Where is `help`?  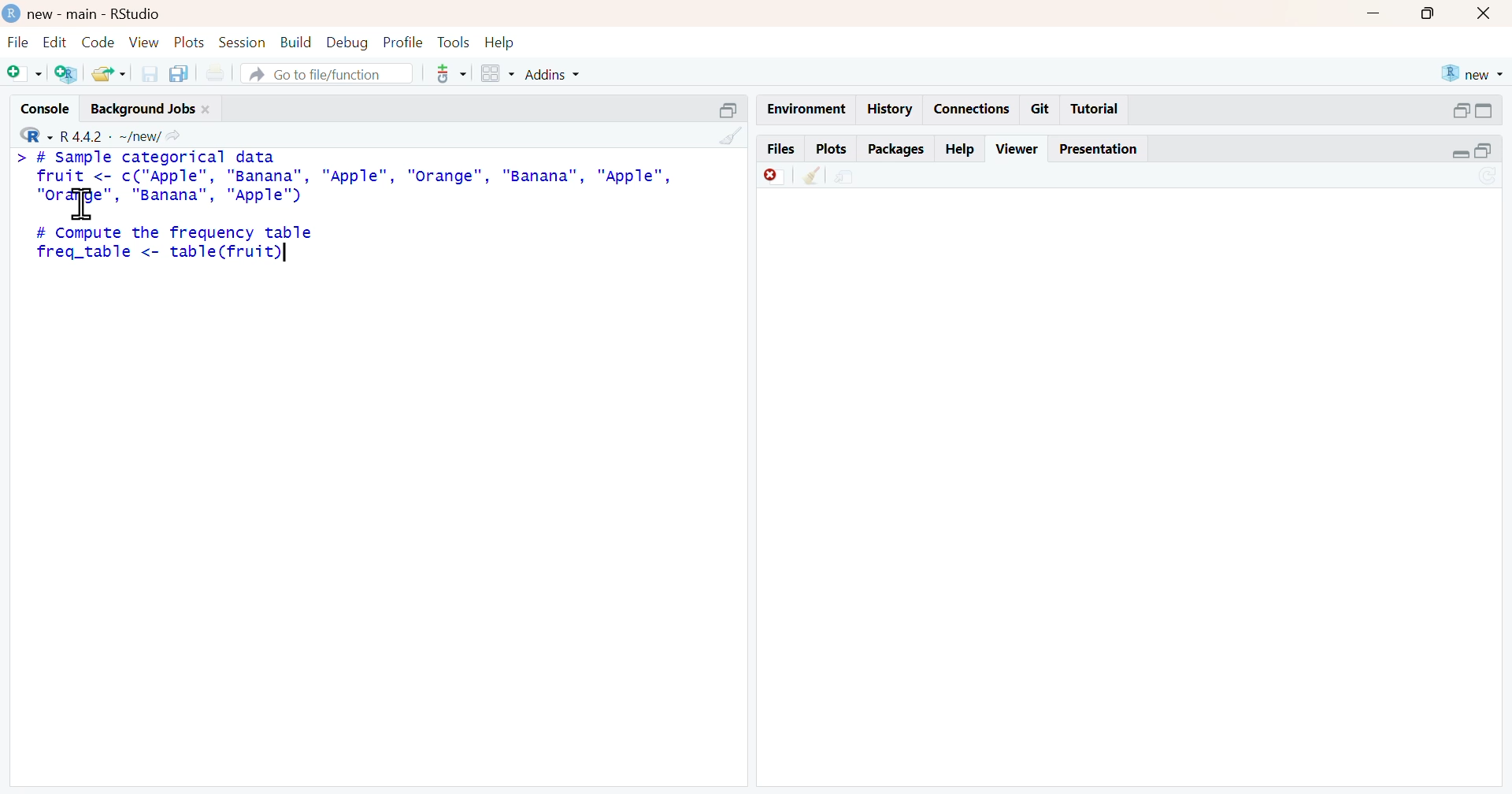 help is located at coordinates (498, 42).